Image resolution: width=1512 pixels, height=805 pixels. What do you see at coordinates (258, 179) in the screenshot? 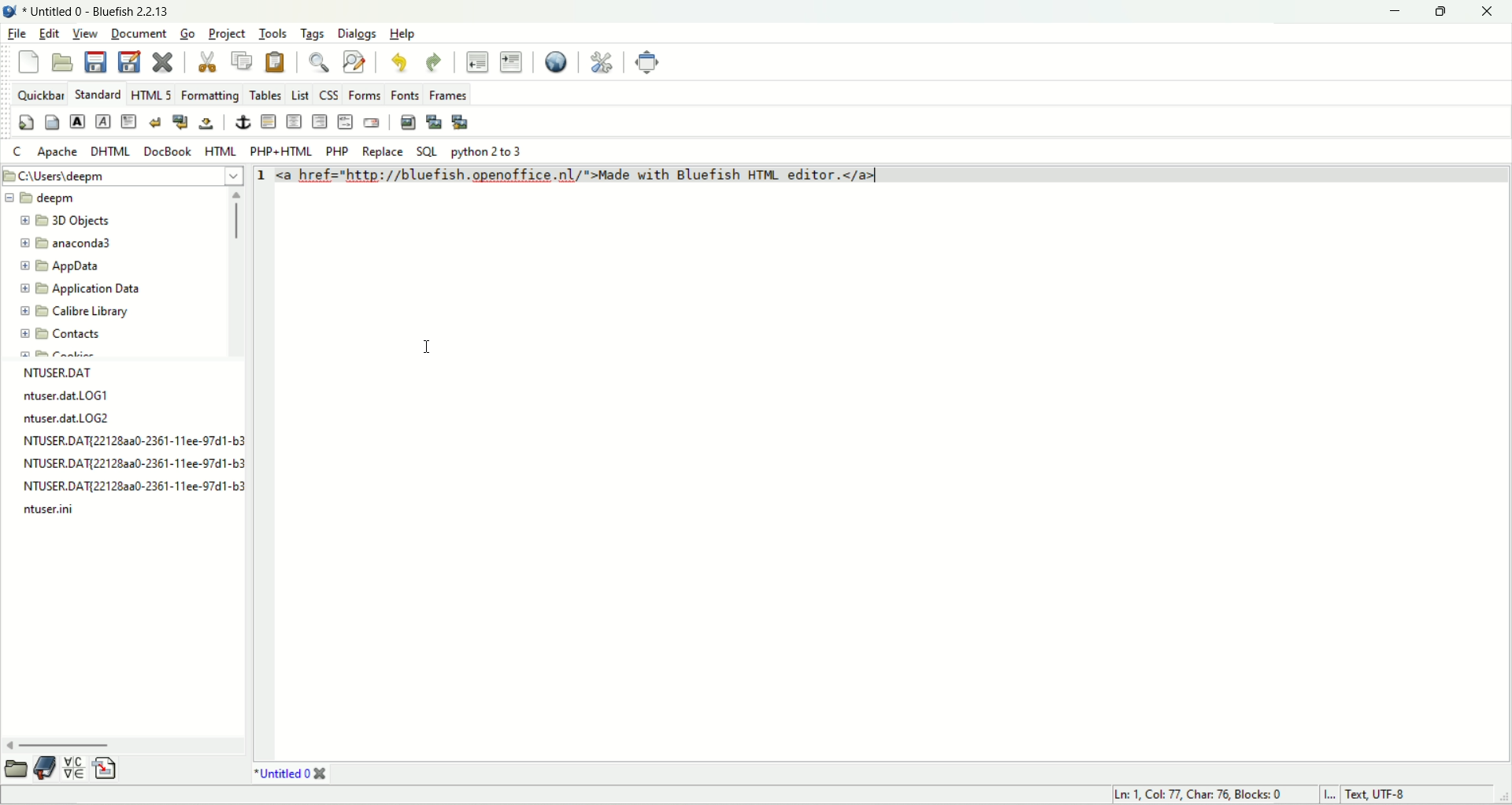
I see `line number` at bounding box center [258, 179].